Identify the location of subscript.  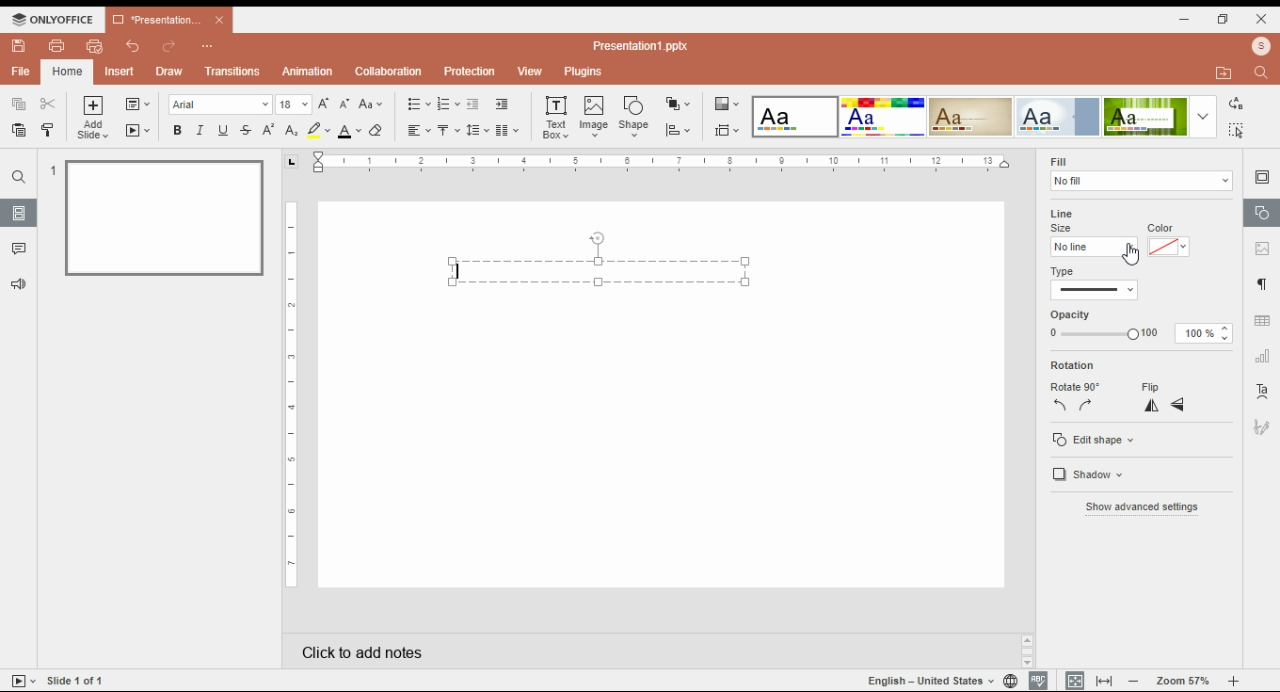
(291, 131).